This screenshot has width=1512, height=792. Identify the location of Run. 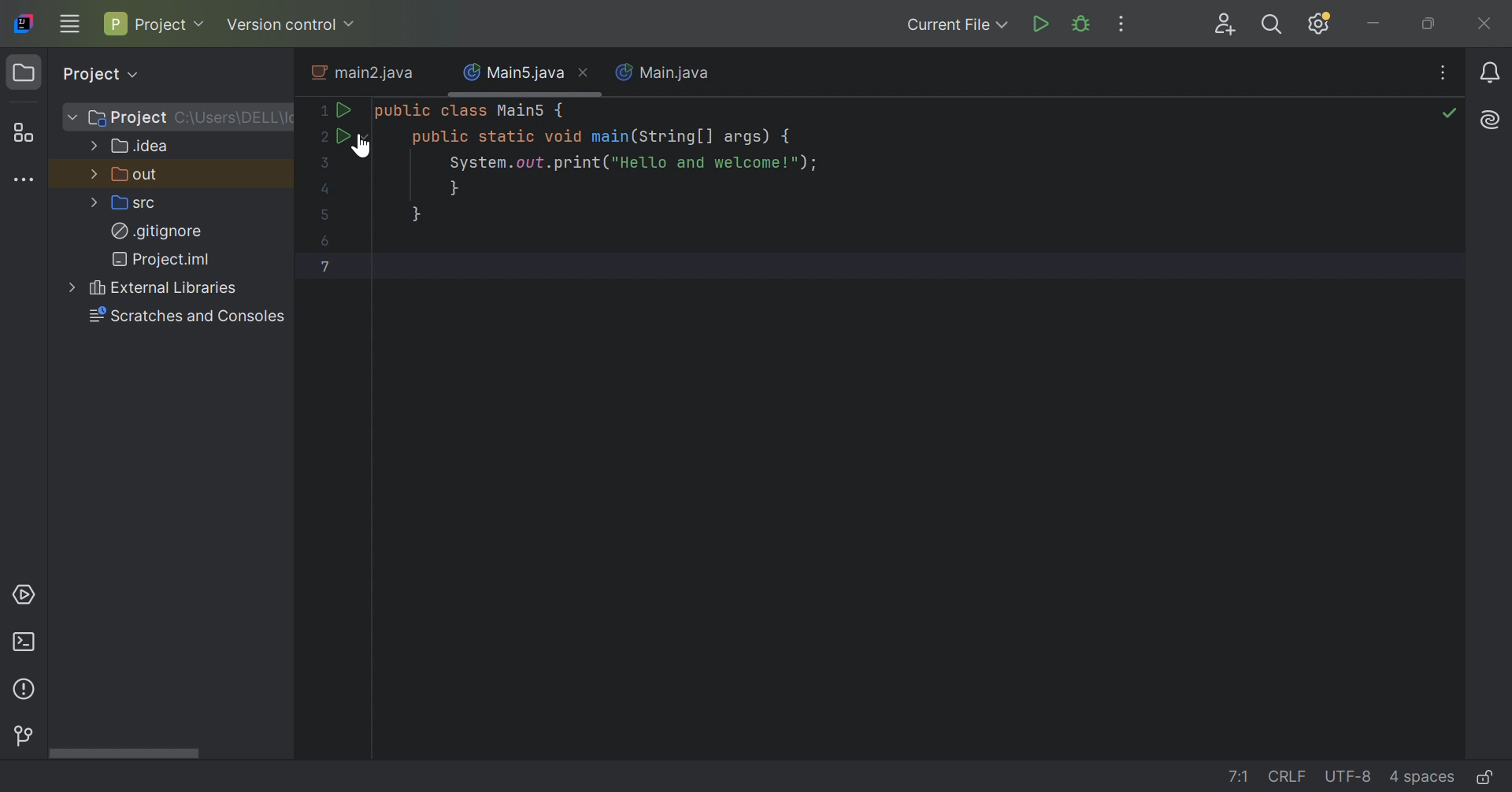
(343, 134).